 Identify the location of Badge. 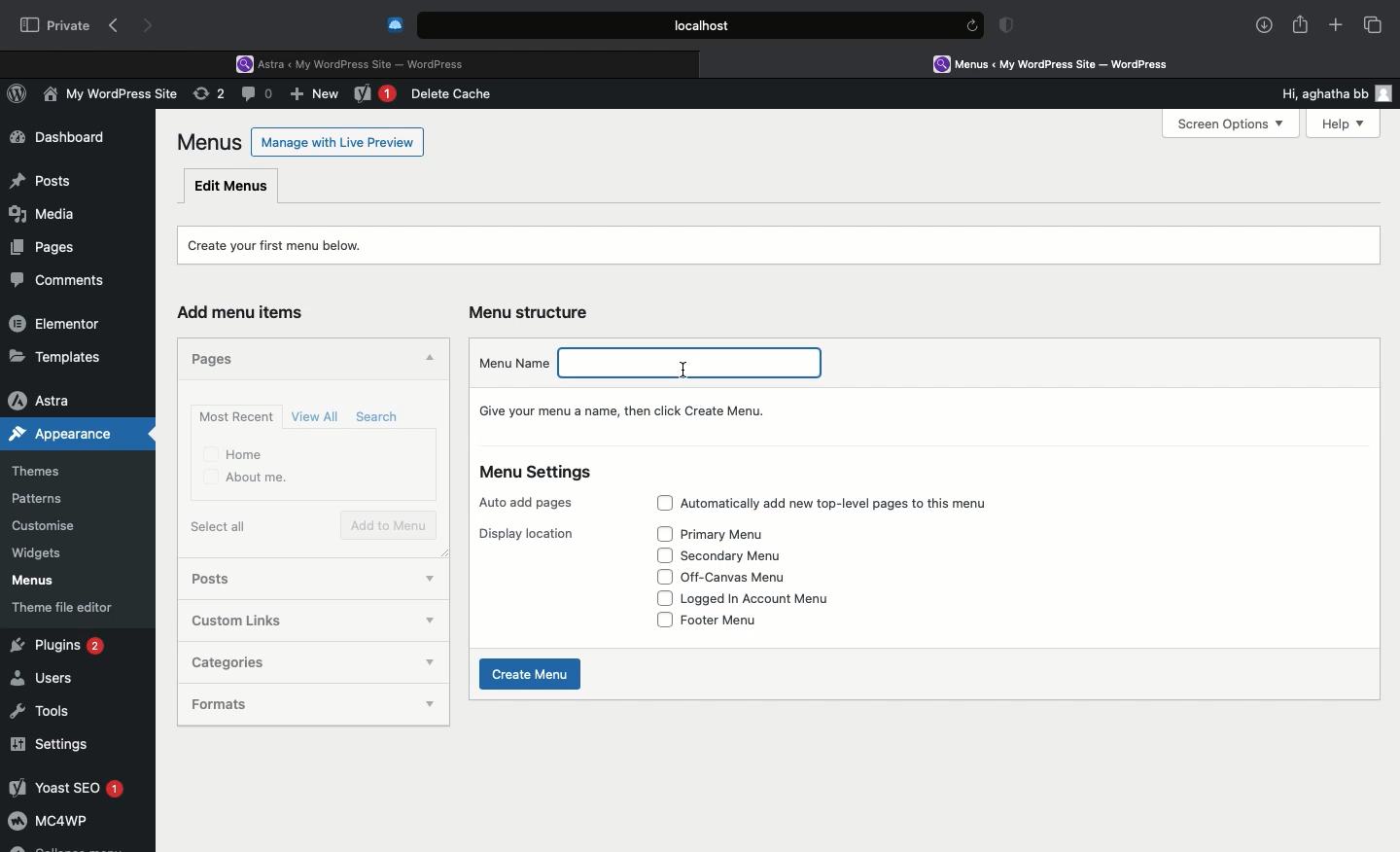
(1010, 27).